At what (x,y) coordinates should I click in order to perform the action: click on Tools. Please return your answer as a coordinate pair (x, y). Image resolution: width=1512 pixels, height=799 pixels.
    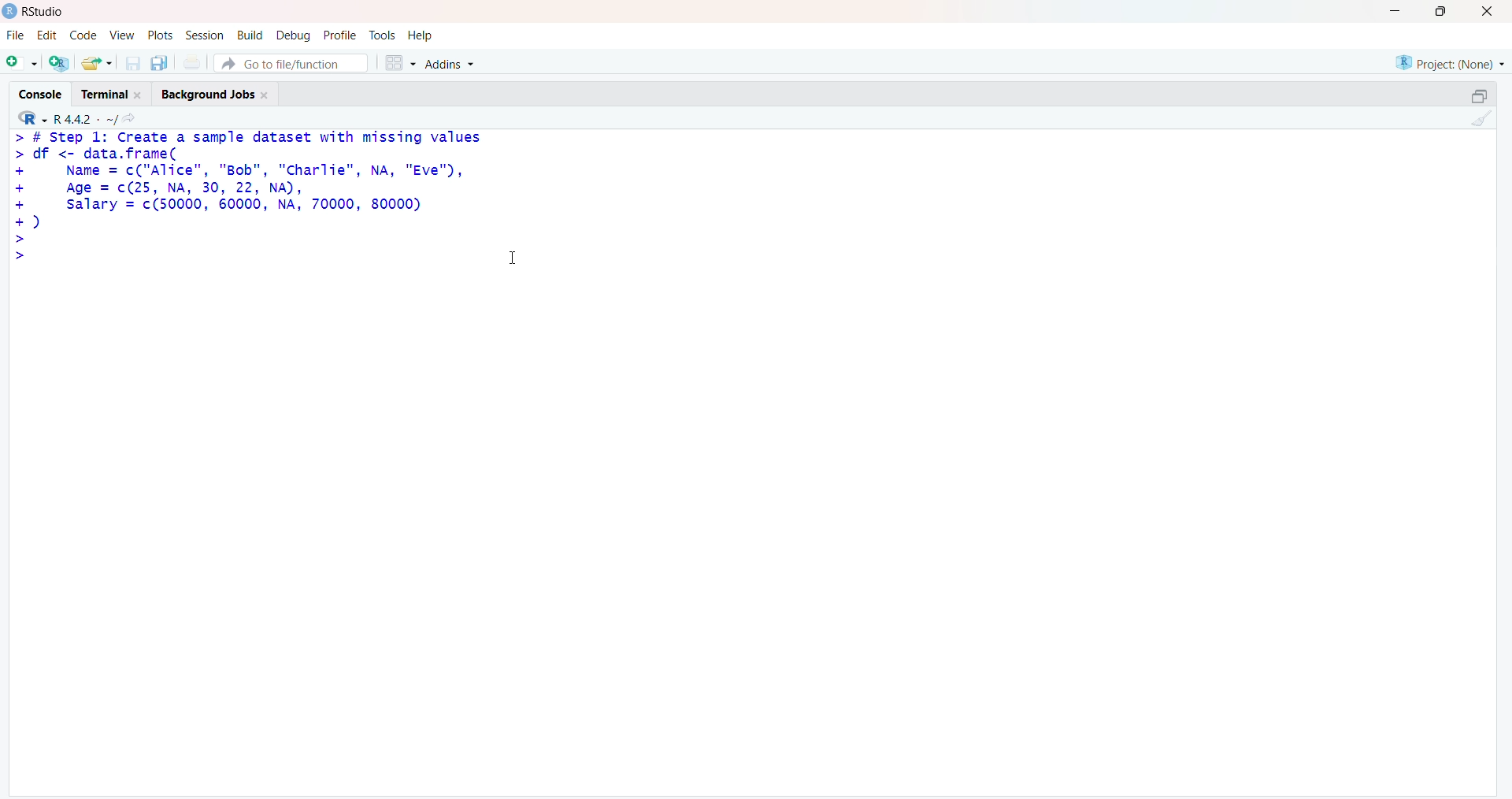
    Looking at the image, I should click on (384, 35).